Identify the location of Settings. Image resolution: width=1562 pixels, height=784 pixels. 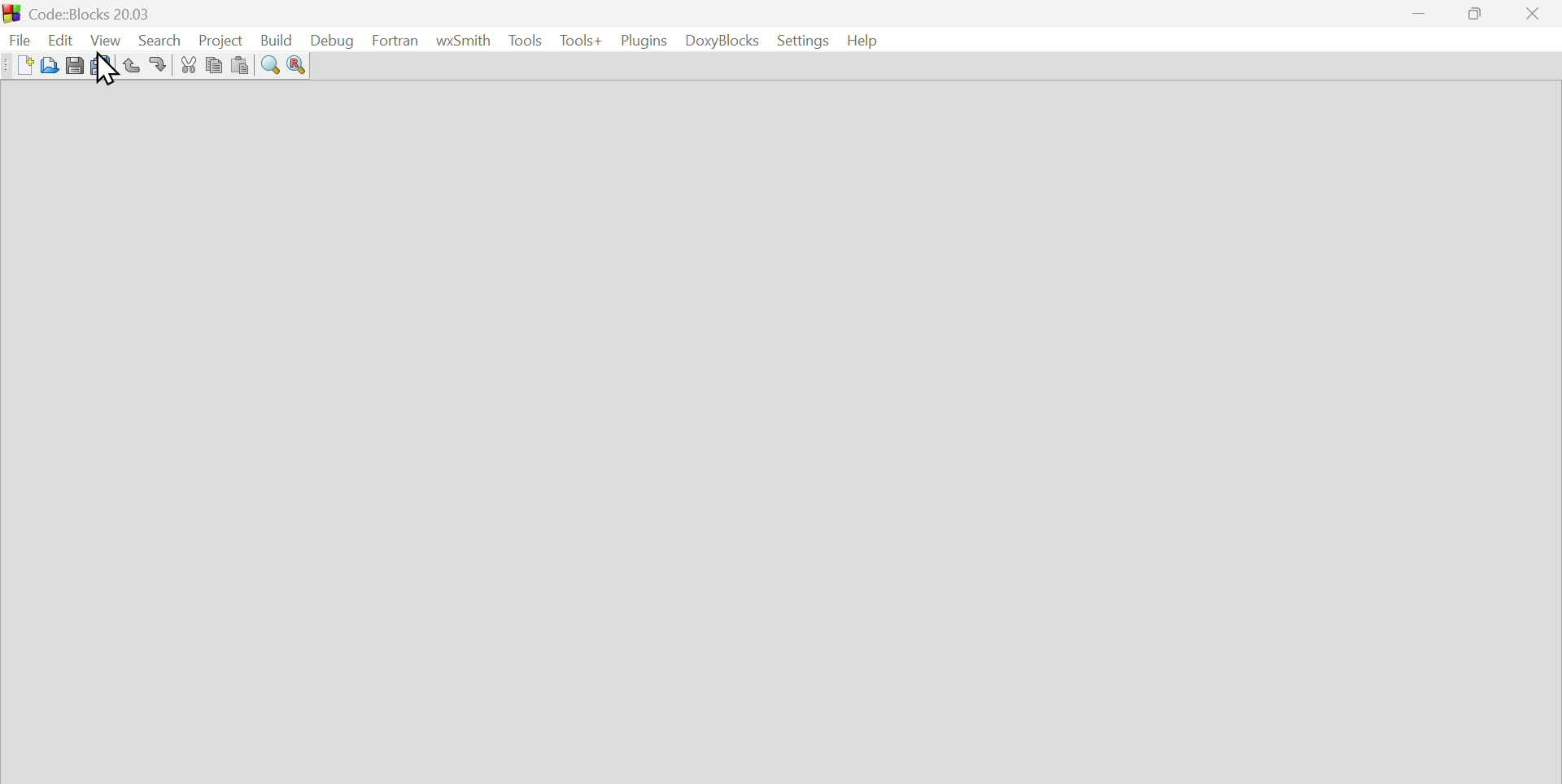
(802, 40).